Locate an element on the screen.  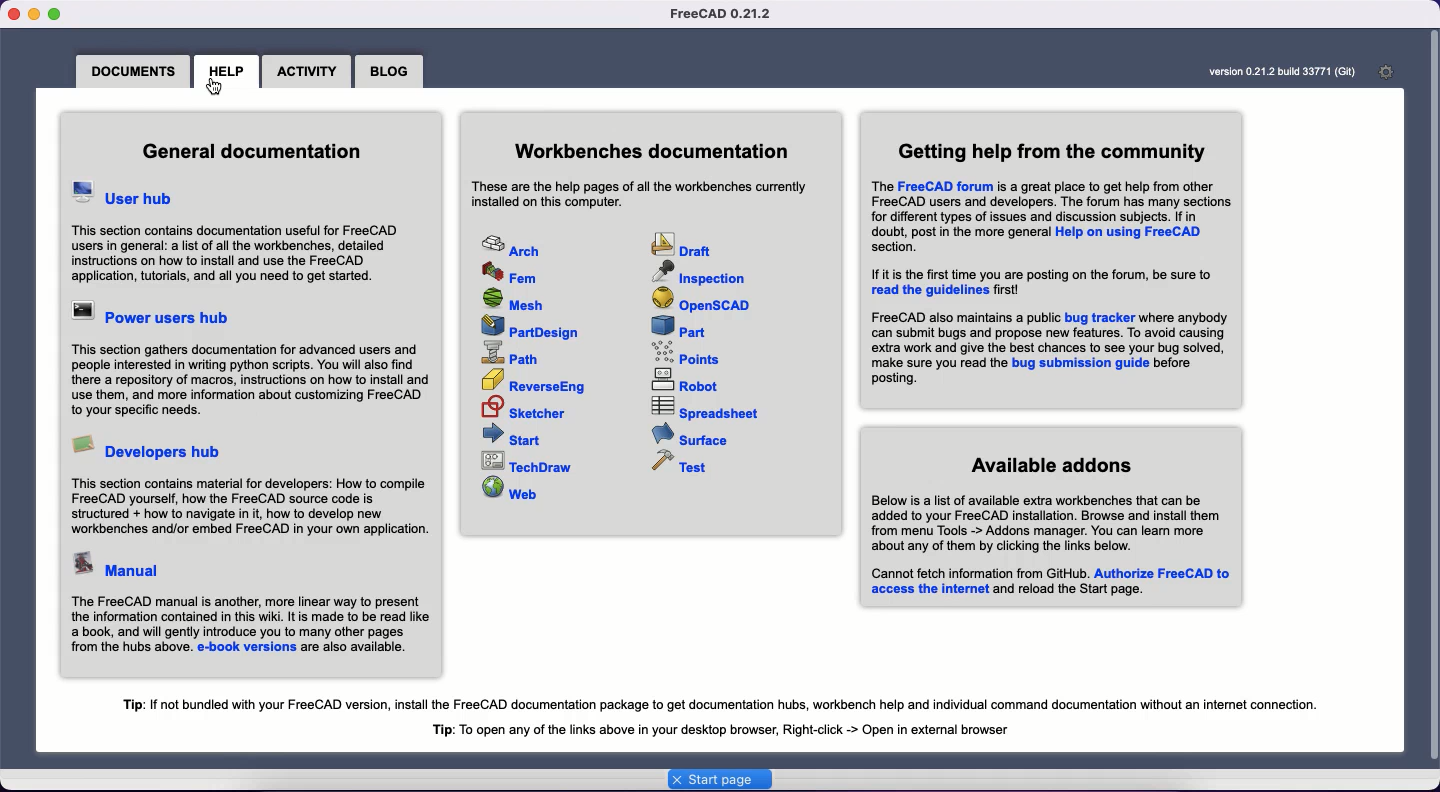
Web is located at coordinates (512, 489).